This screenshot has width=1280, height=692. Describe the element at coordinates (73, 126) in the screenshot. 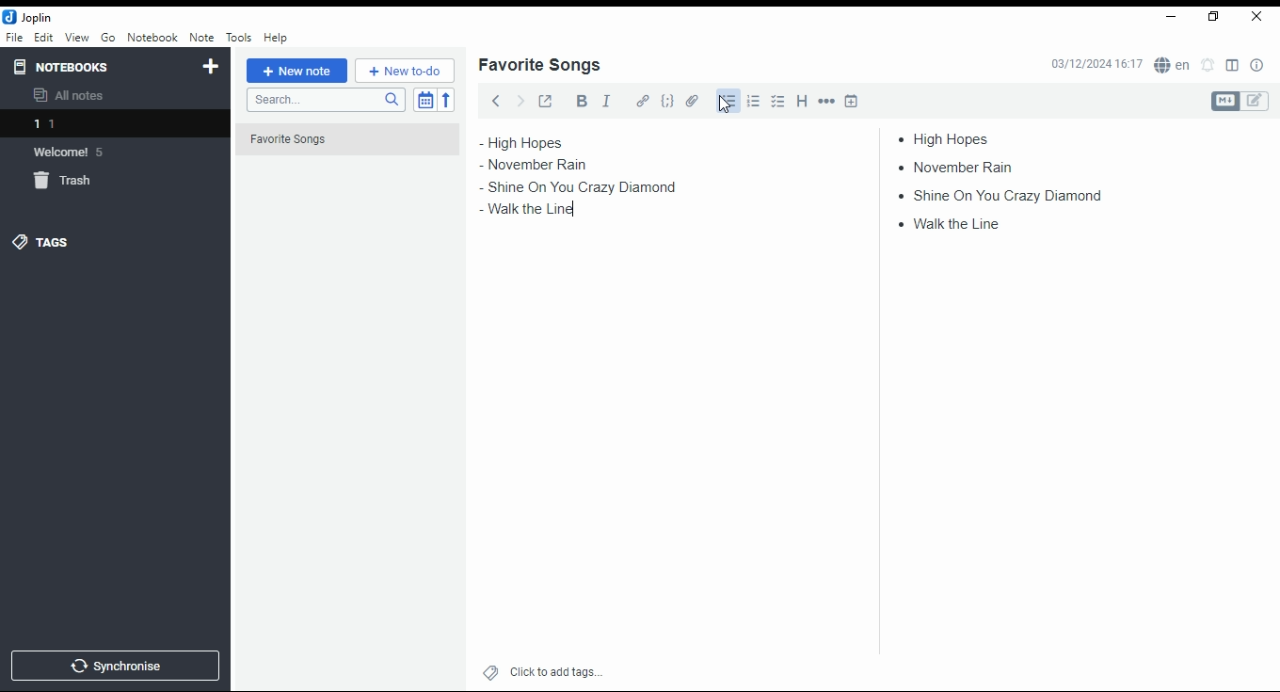

I see `notebook 1` at that location.